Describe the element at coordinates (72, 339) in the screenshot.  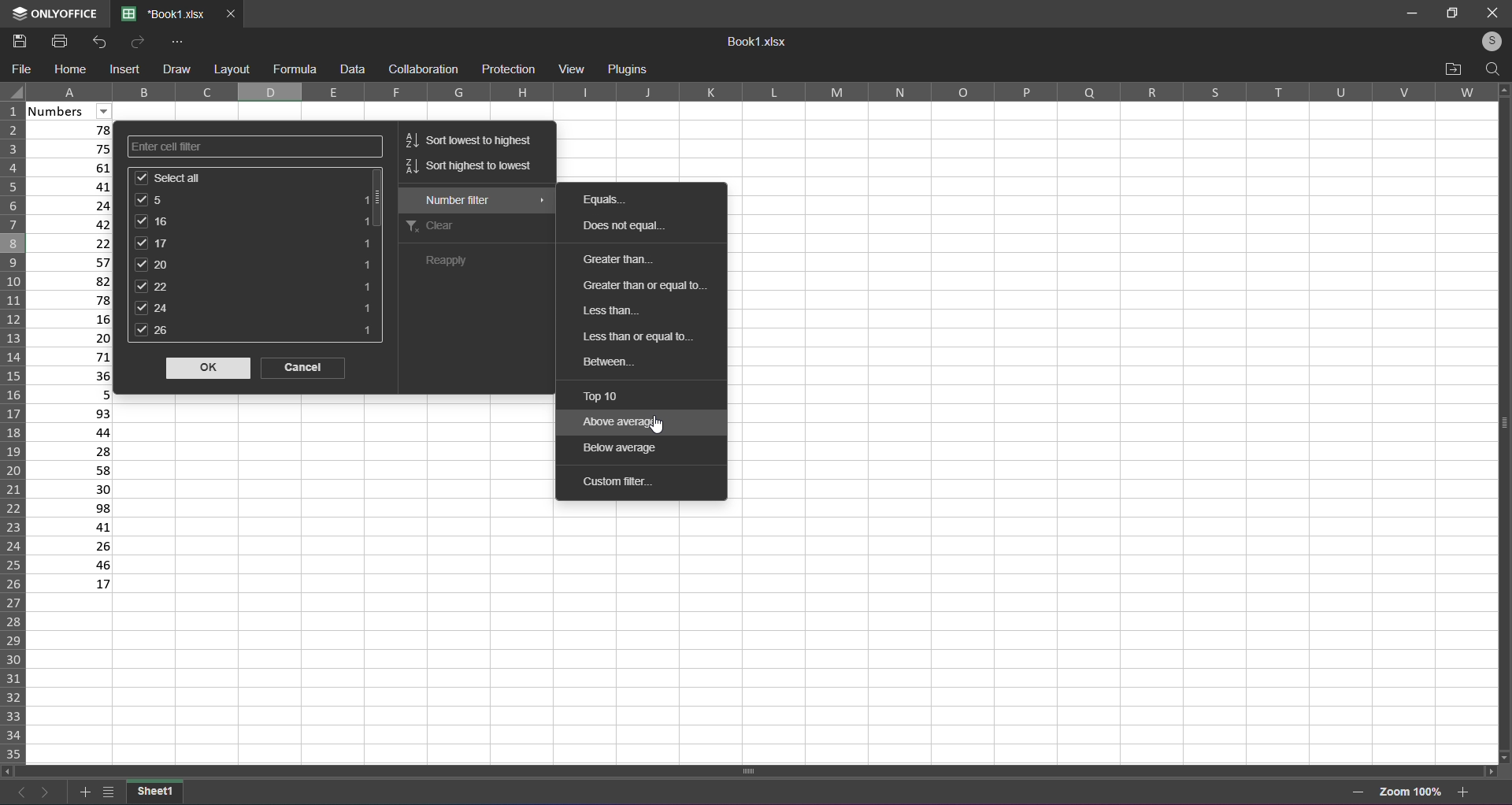
I see `20` at that location.